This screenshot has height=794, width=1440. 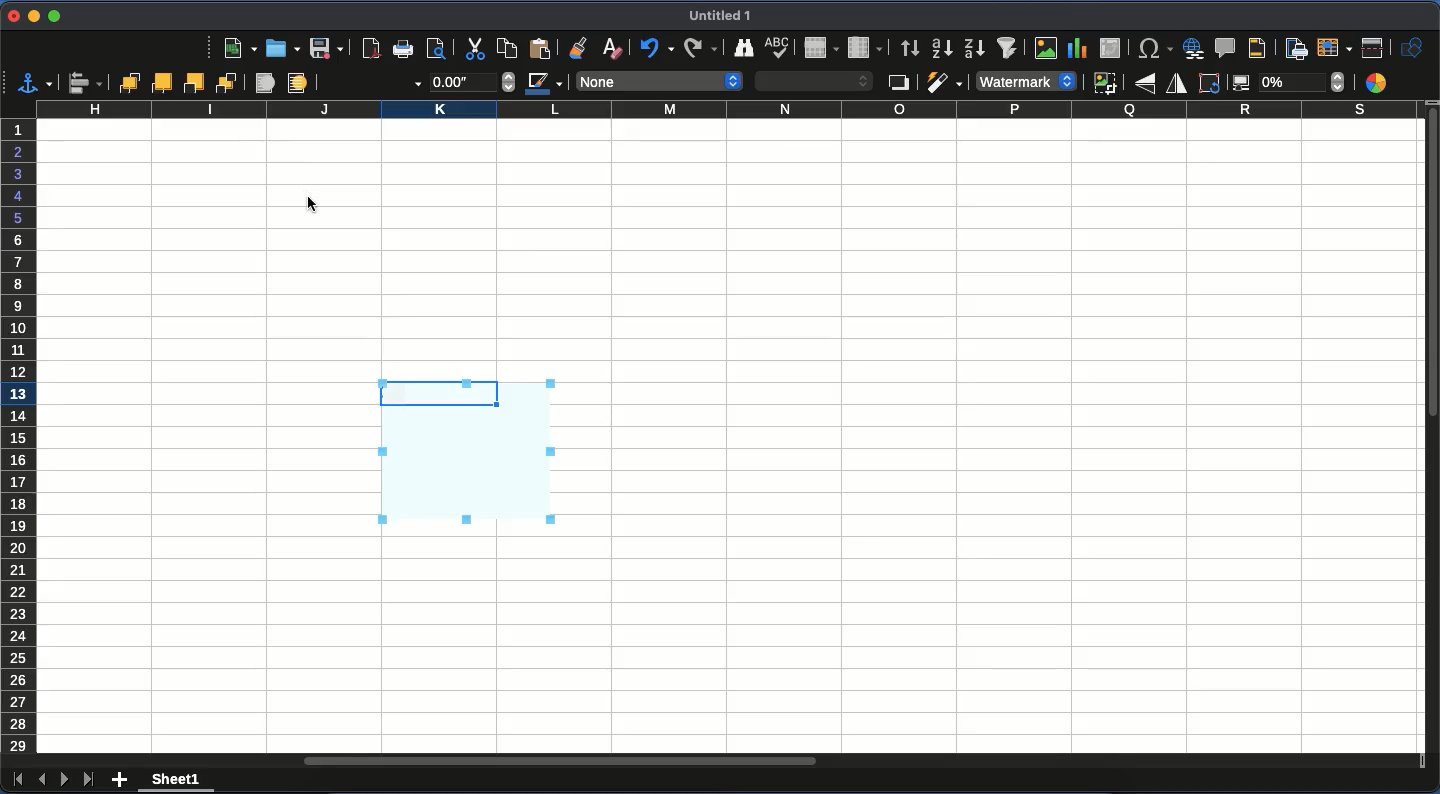 I want to click on next sheet, so click(x=65, y=779).